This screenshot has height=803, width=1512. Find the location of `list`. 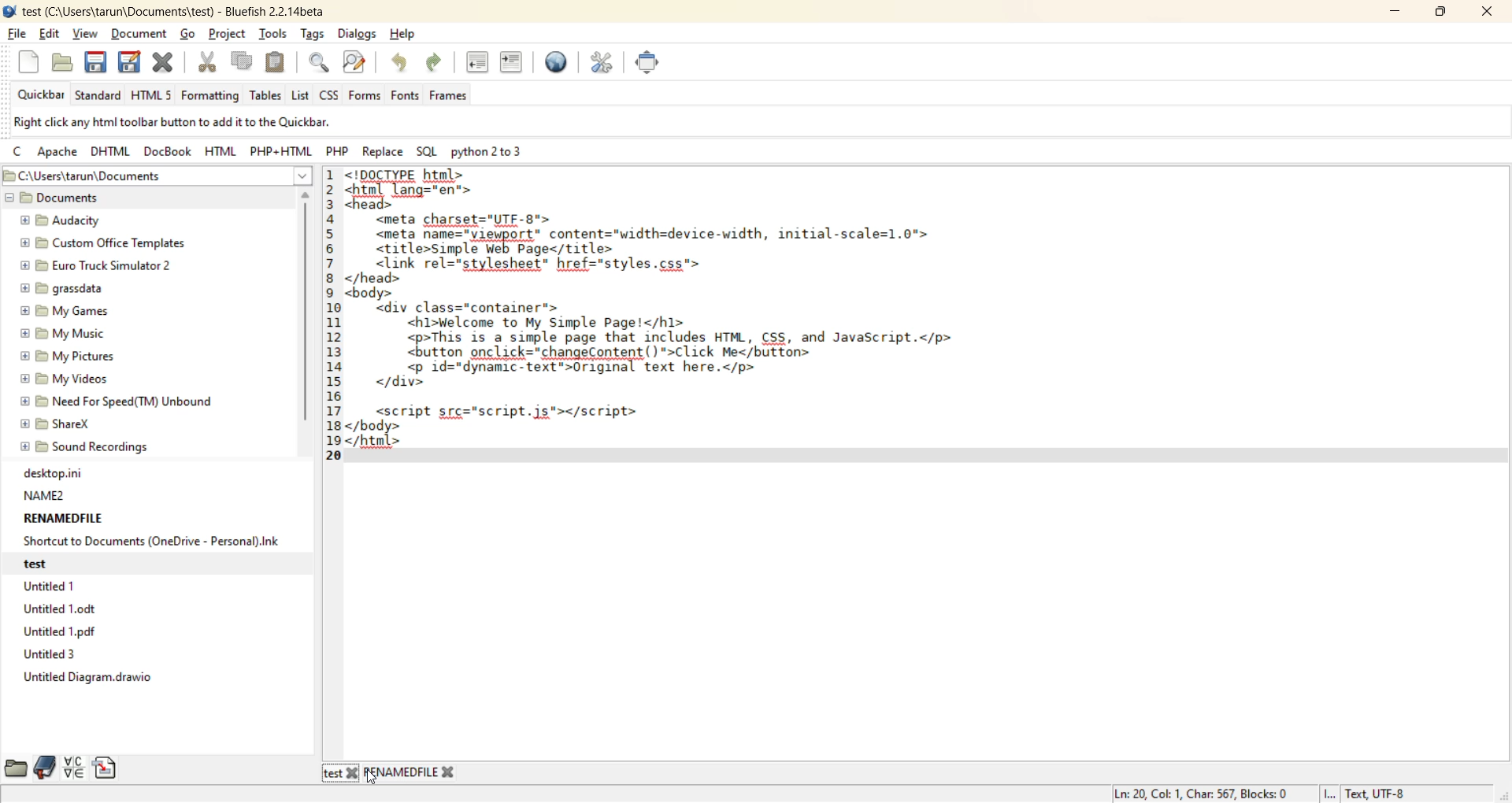

list is located at coordinates (301, 94).